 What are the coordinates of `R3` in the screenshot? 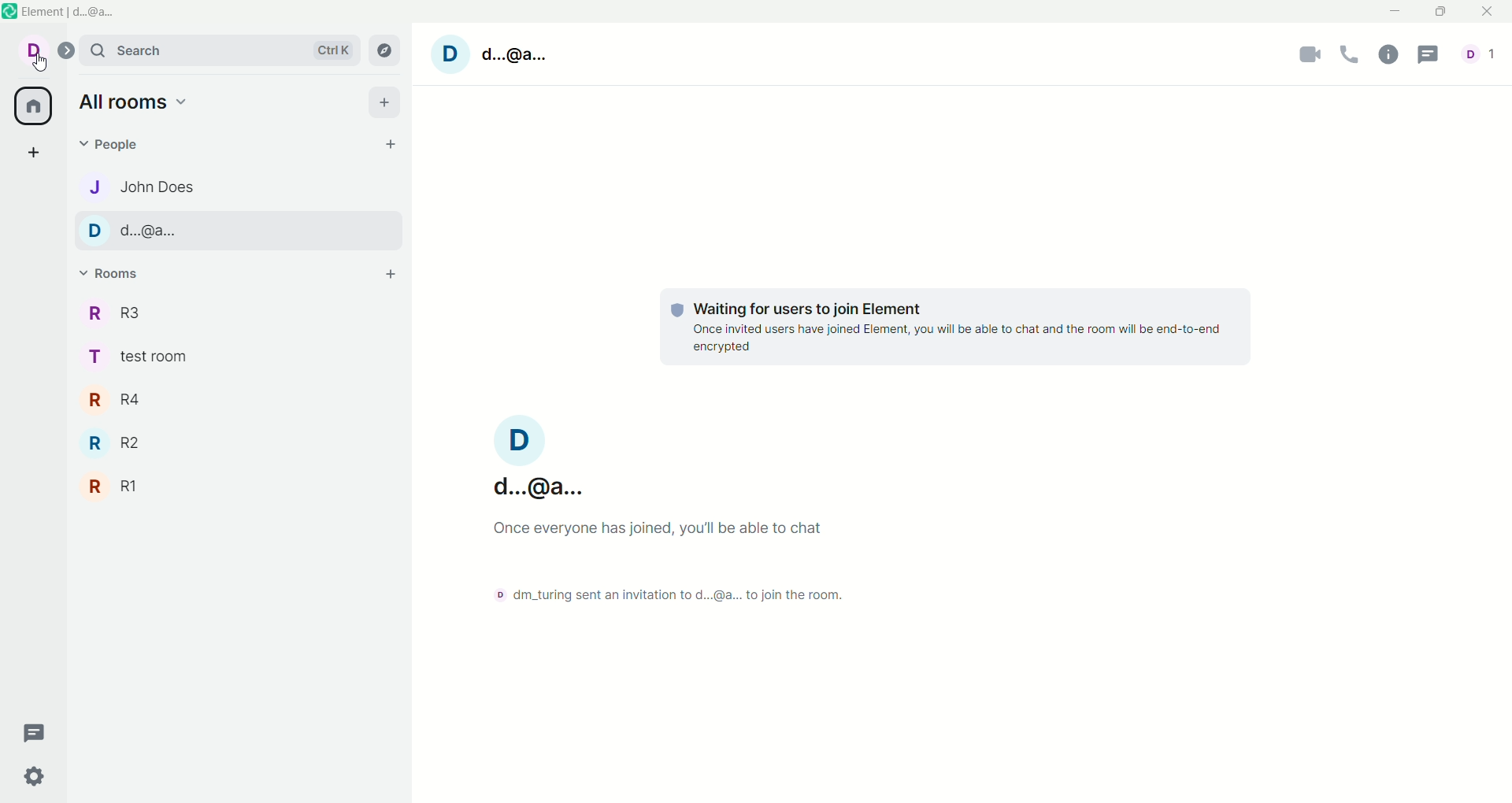 It's located at (125, 313).